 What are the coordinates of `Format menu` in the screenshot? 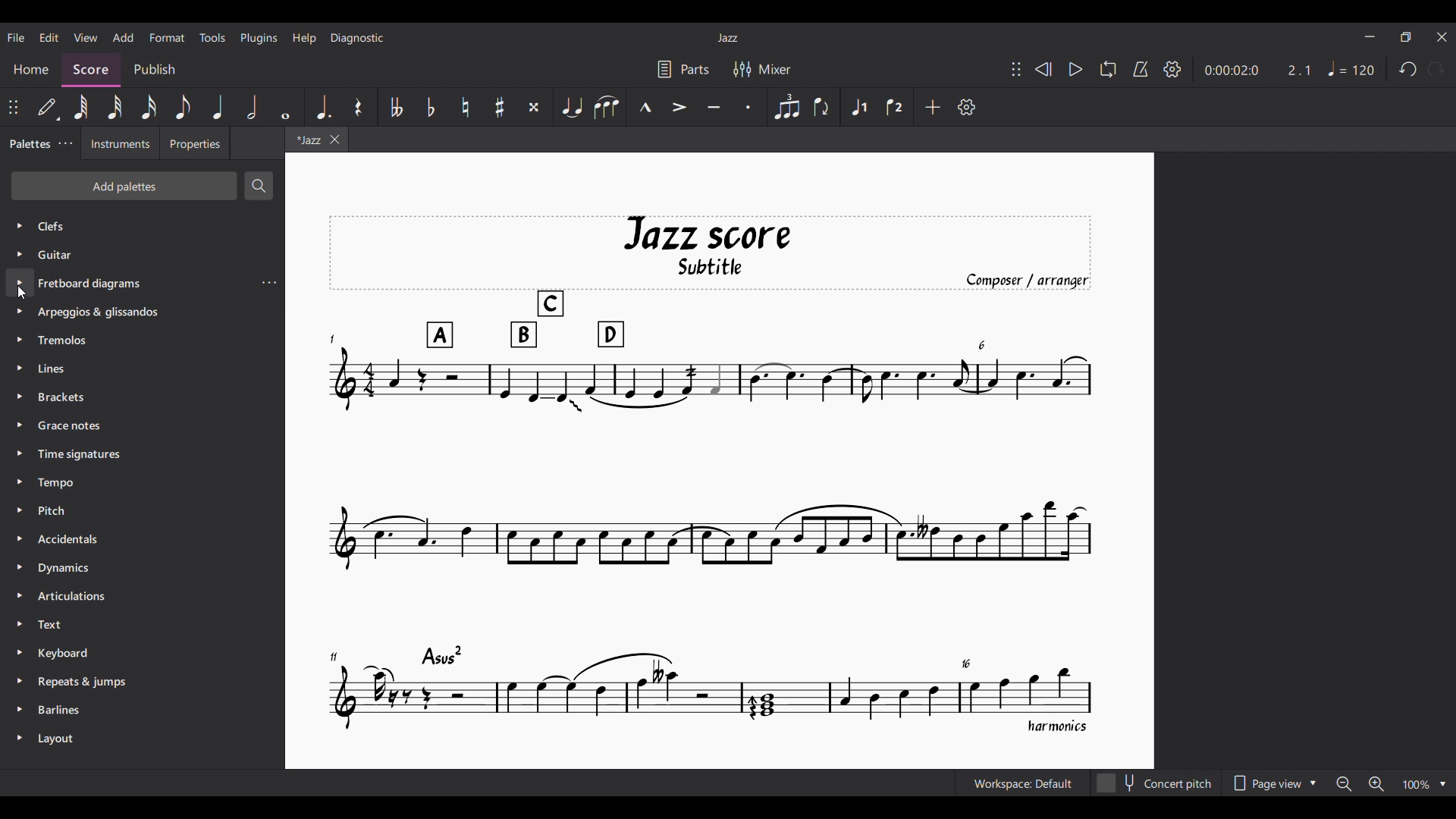 It's located at (167, 38).